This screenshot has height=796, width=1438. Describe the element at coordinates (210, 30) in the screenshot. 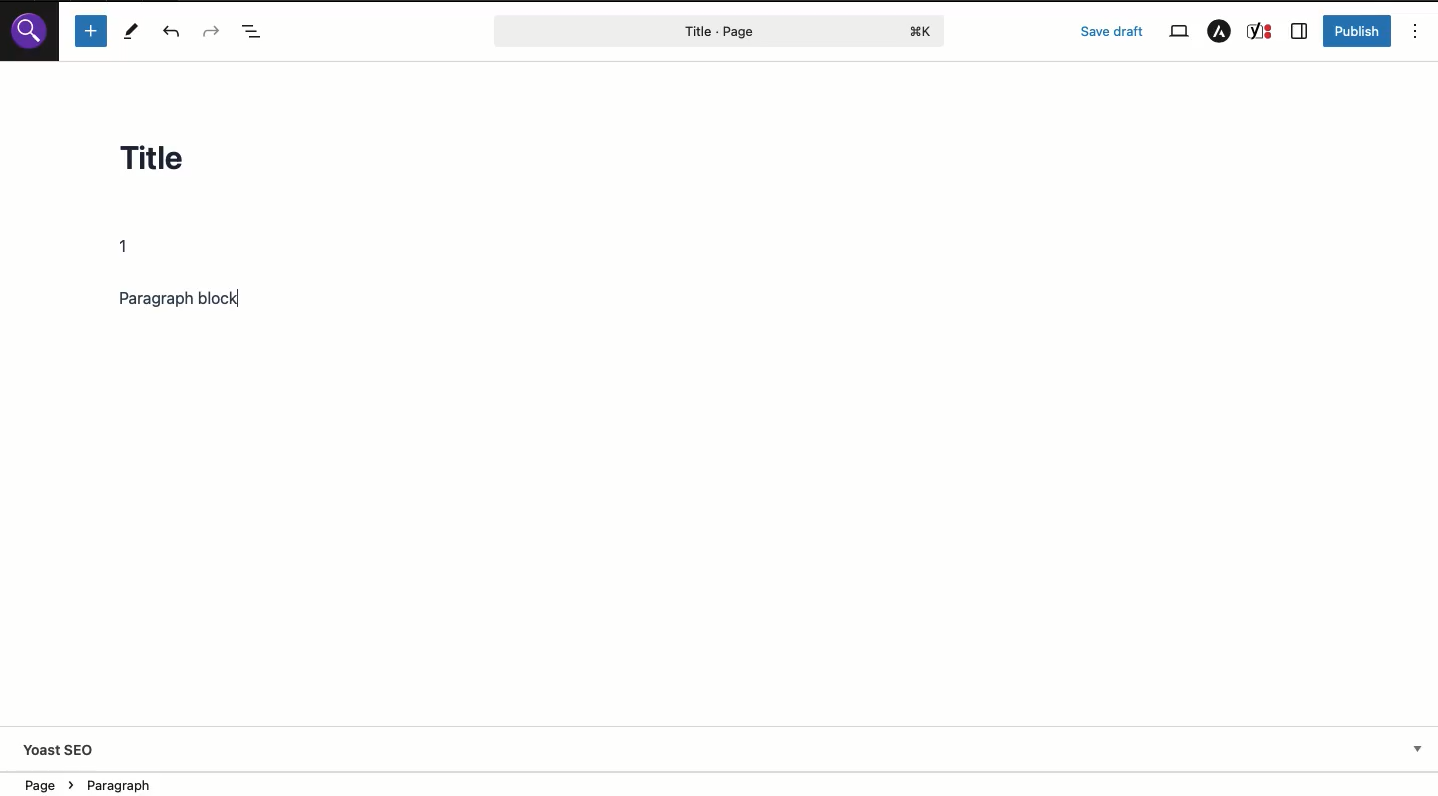

I see `Redo` at that location.